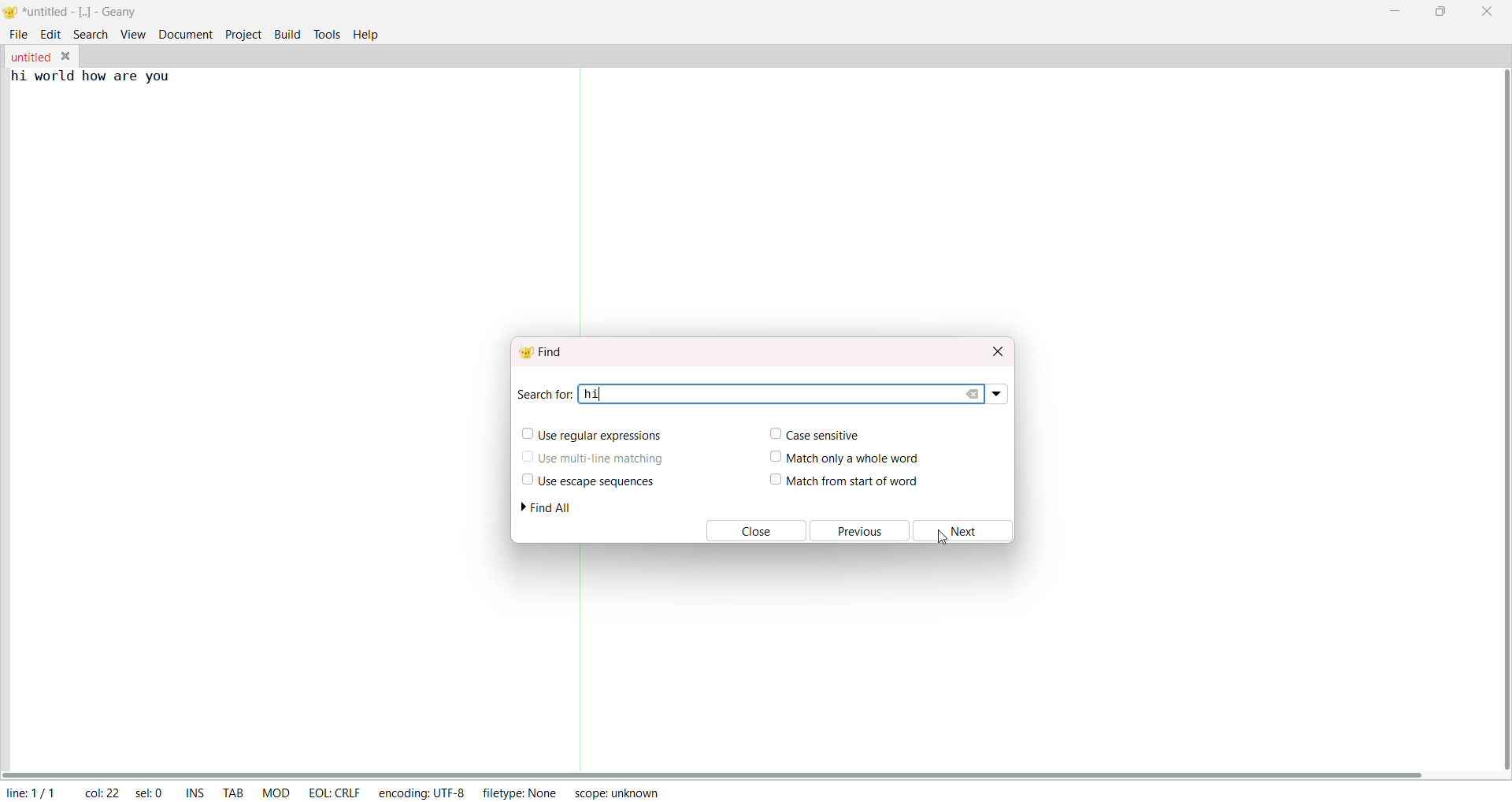  What do you see at coordinates (195, 792) in the screenshot?
I see `ins` at bounding box center [195, 792].